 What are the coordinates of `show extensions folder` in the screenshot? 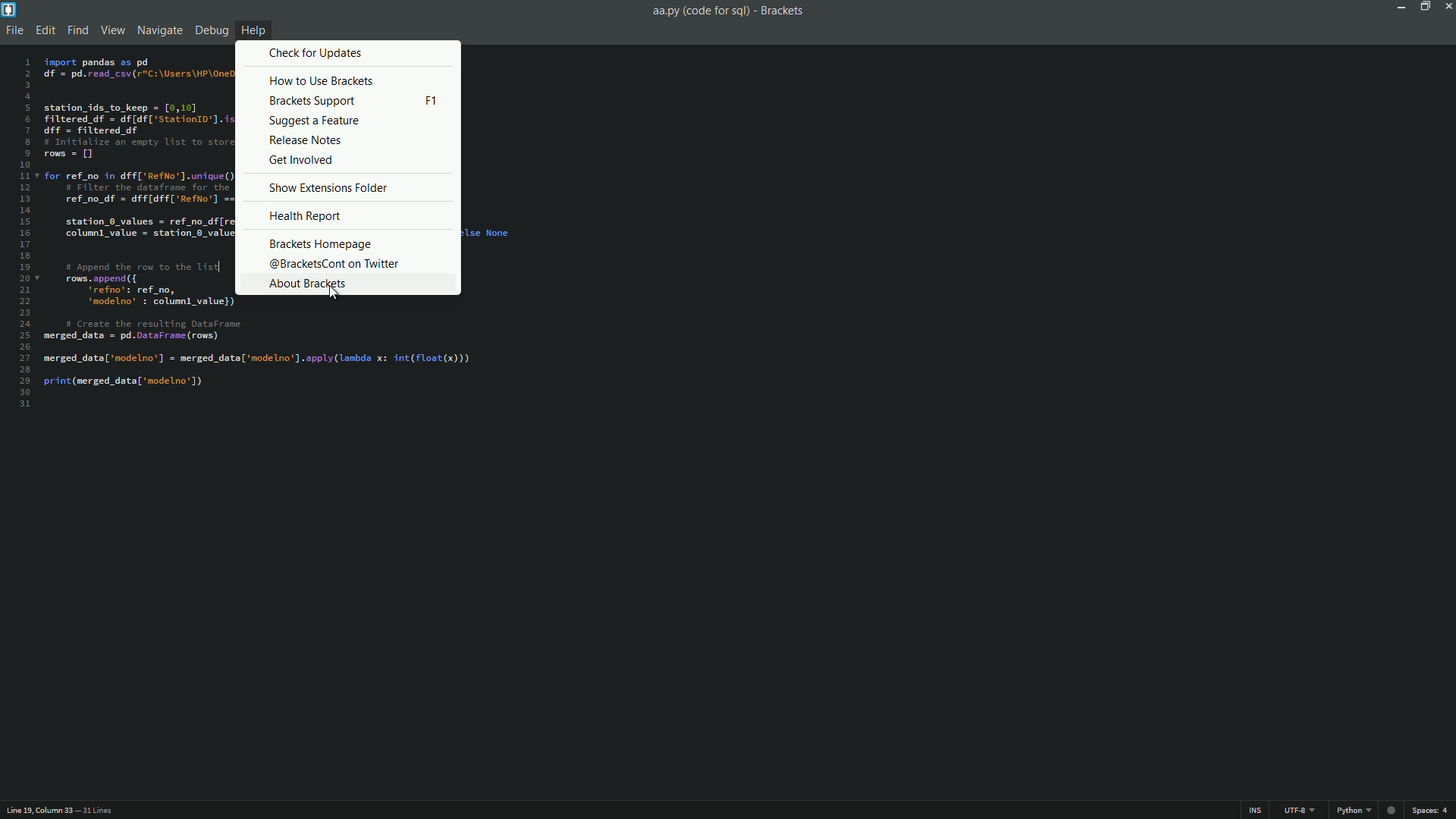 It's located at (328, 187).